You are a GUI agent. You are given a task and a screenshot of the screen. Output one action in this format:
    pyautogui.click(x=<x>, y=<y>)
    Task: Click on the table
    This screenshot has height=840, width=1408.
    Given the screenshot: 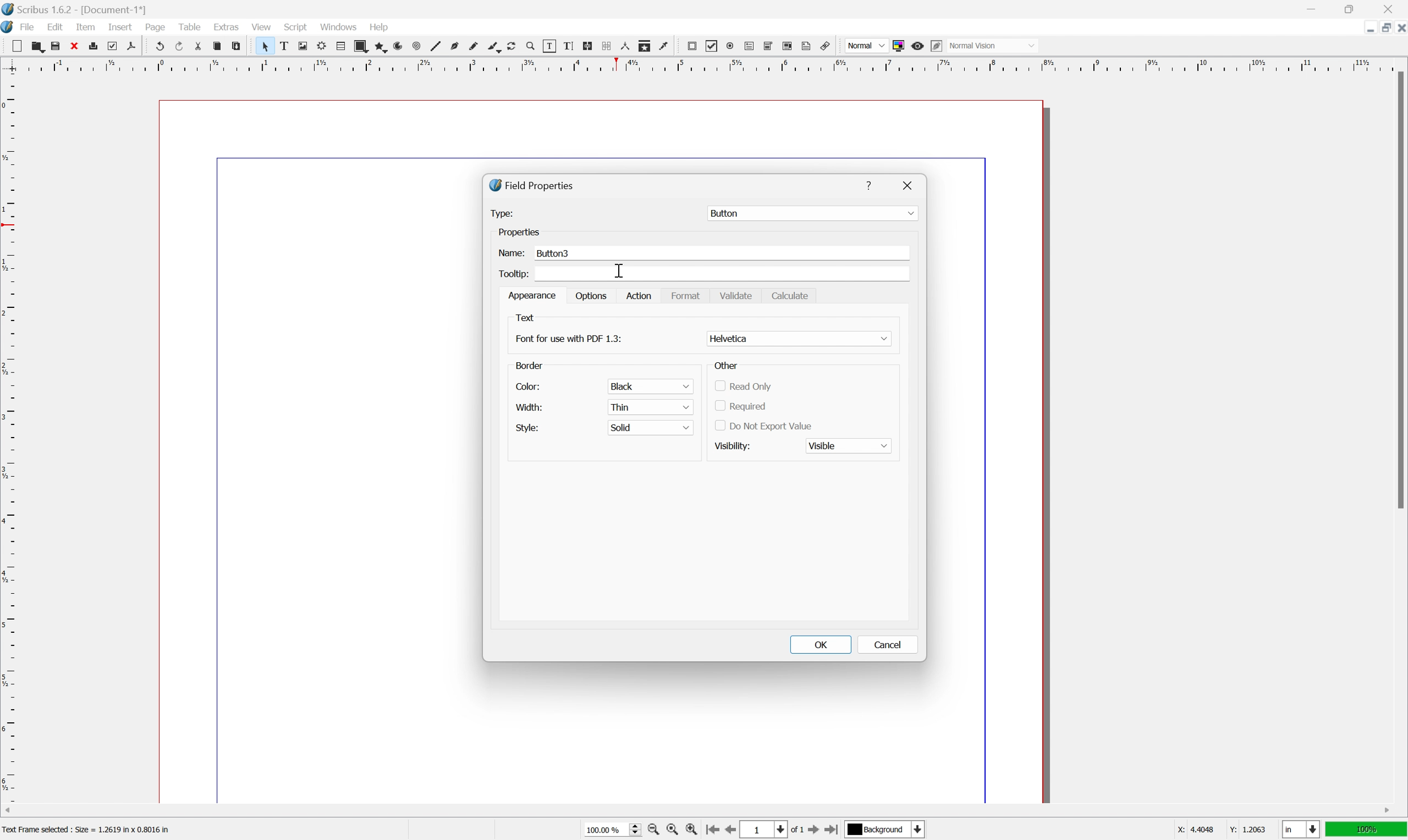 What is the action you would take?
    pyautogui.click(x=340, y=46)
    